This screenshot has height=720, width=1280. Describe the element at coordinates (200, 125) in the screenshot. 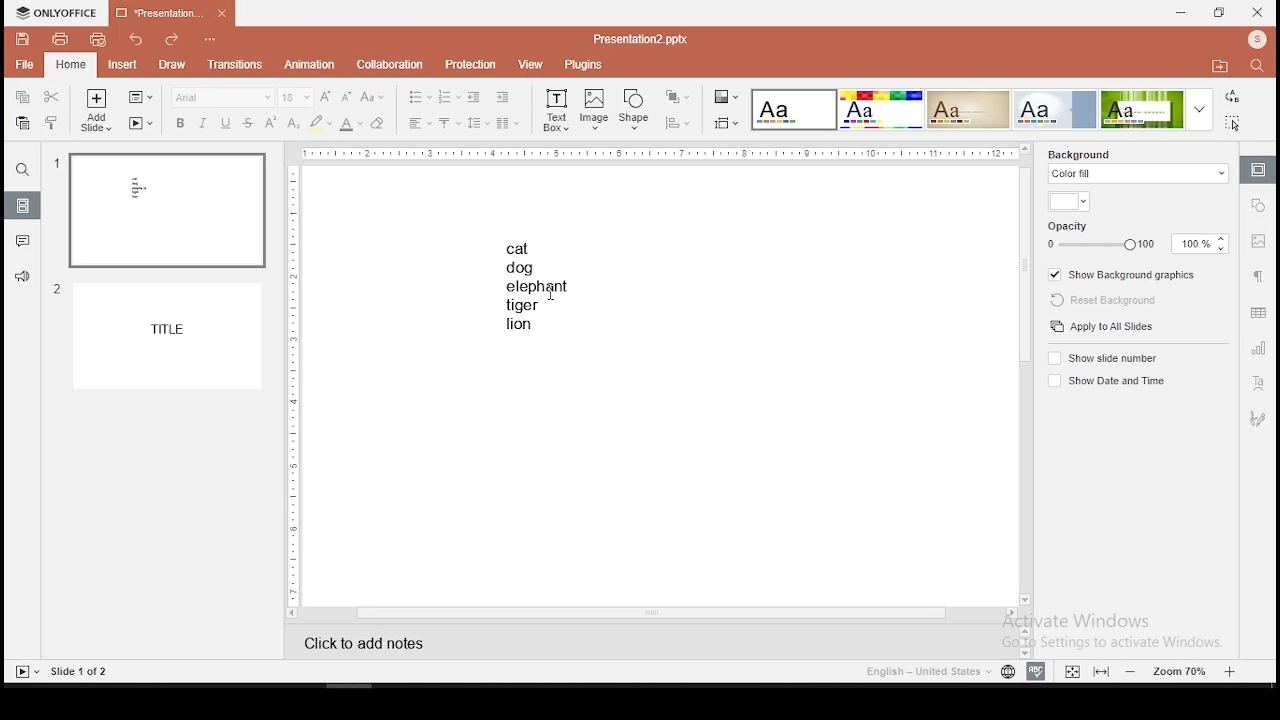

I see `italics` at that location.